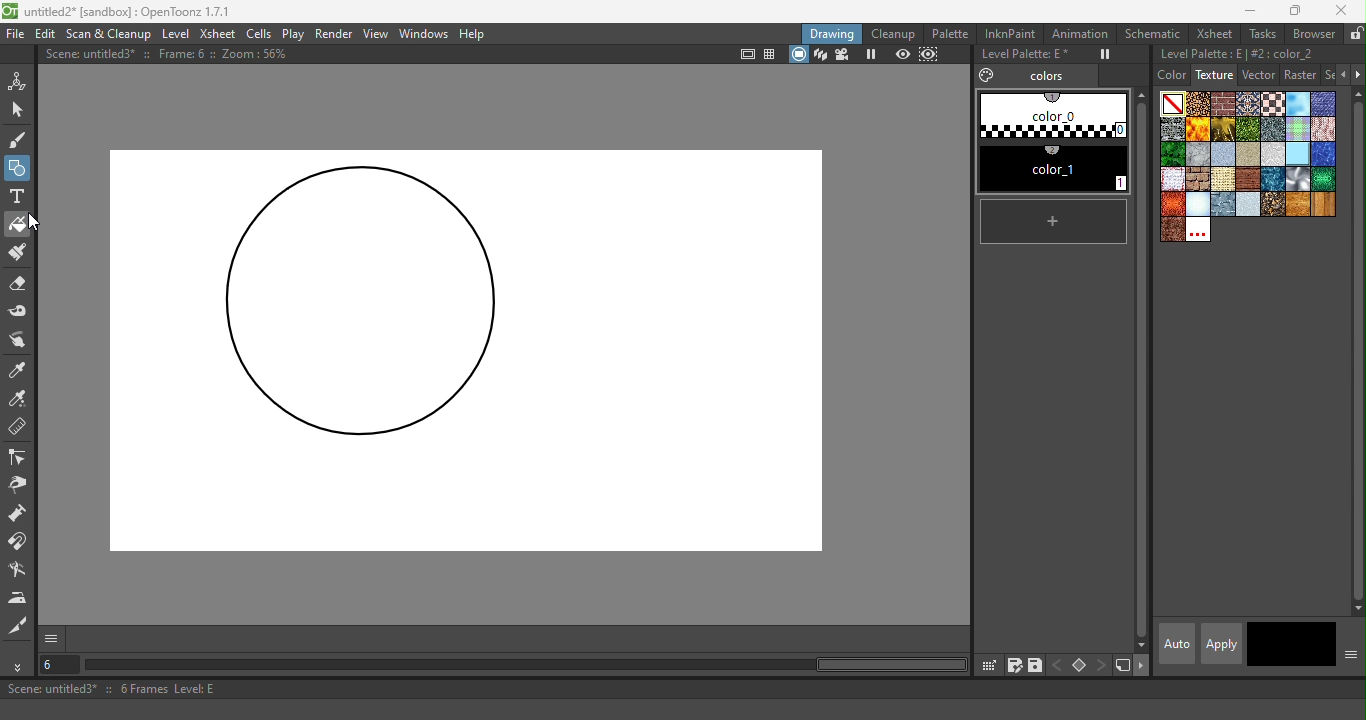 Image resolution: width=1366 pixels, height=720 pixels. Describe the element at coordinates (53, 639) in the screenshot. I see `GUI show/hide` at that location.